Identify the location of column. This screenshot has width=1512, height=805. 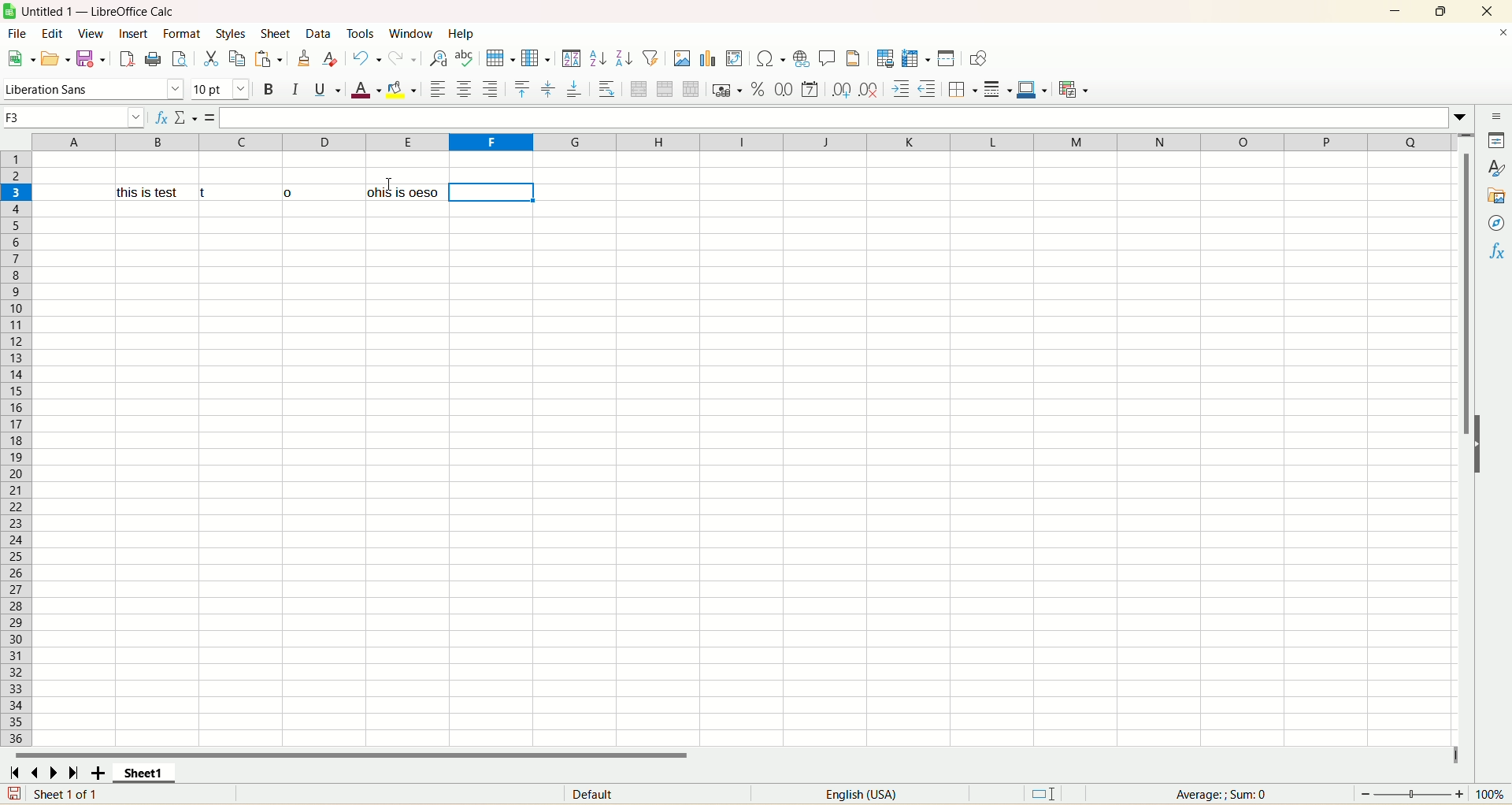
(537, 57).